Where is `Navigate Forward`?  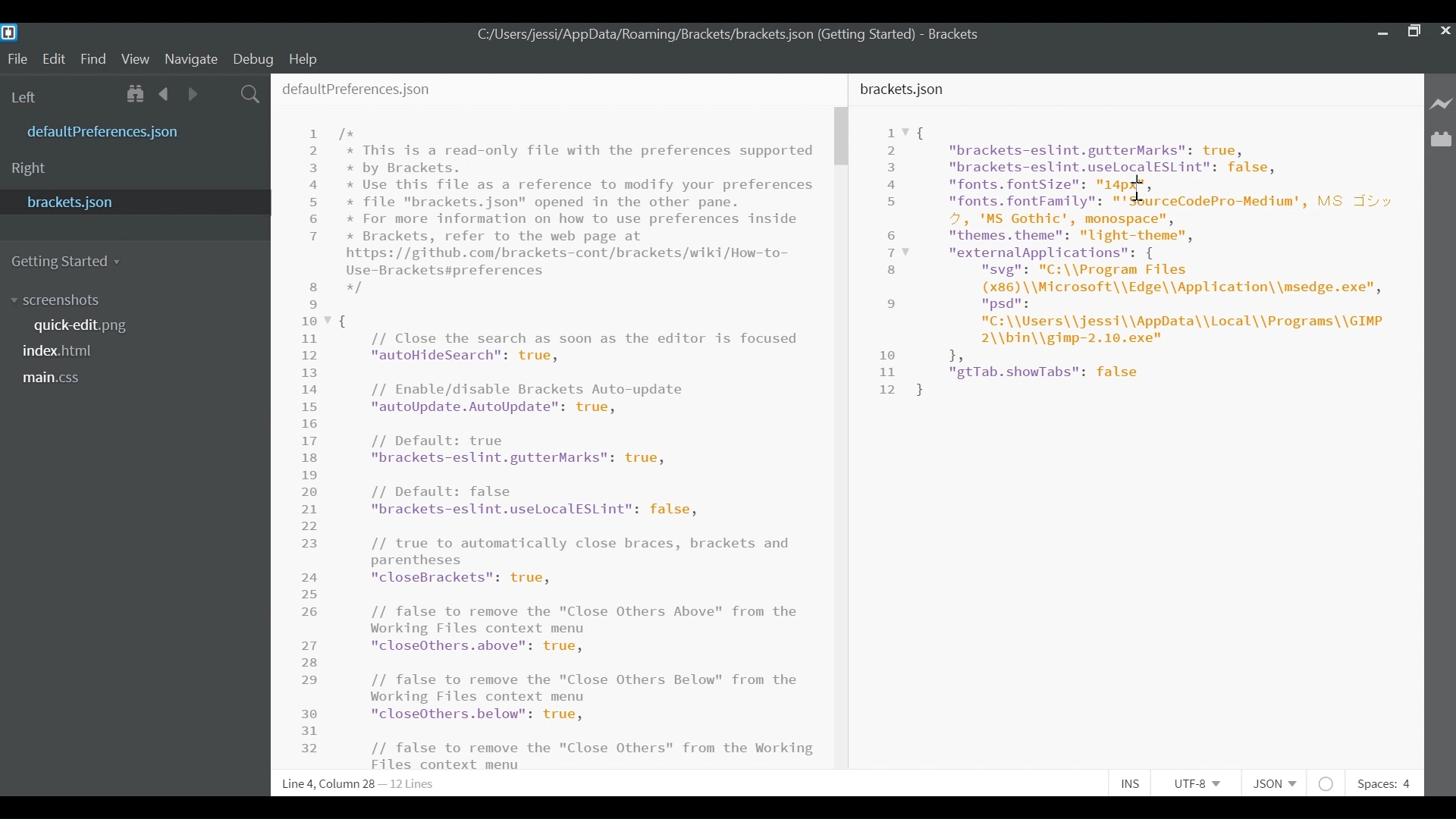
Navigate Forward is located at coordinates (193, 94).